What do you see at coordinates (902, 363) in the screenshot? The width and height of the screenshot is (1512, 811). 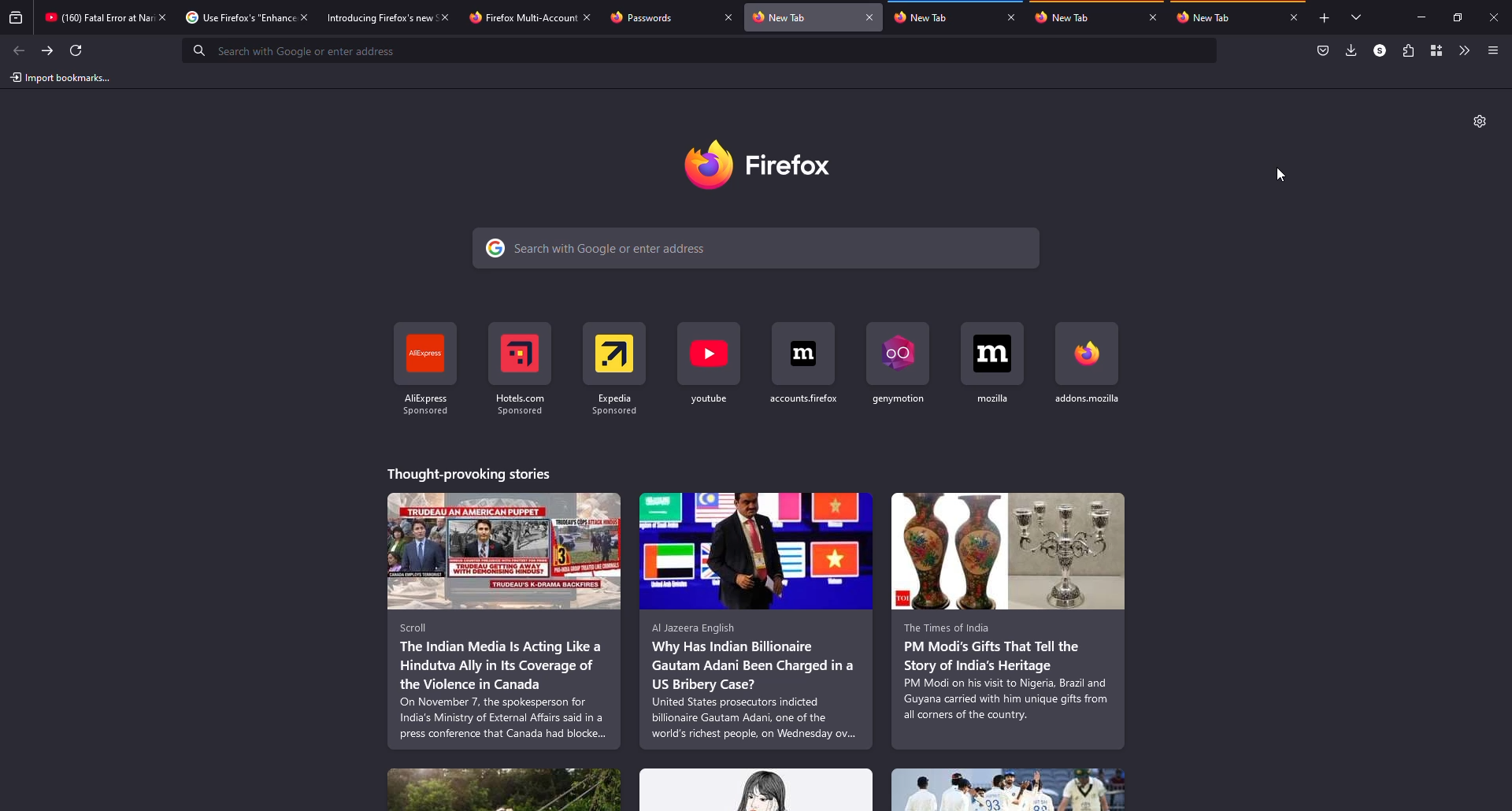 I see `shortcut` at bounding box center [902, 363].